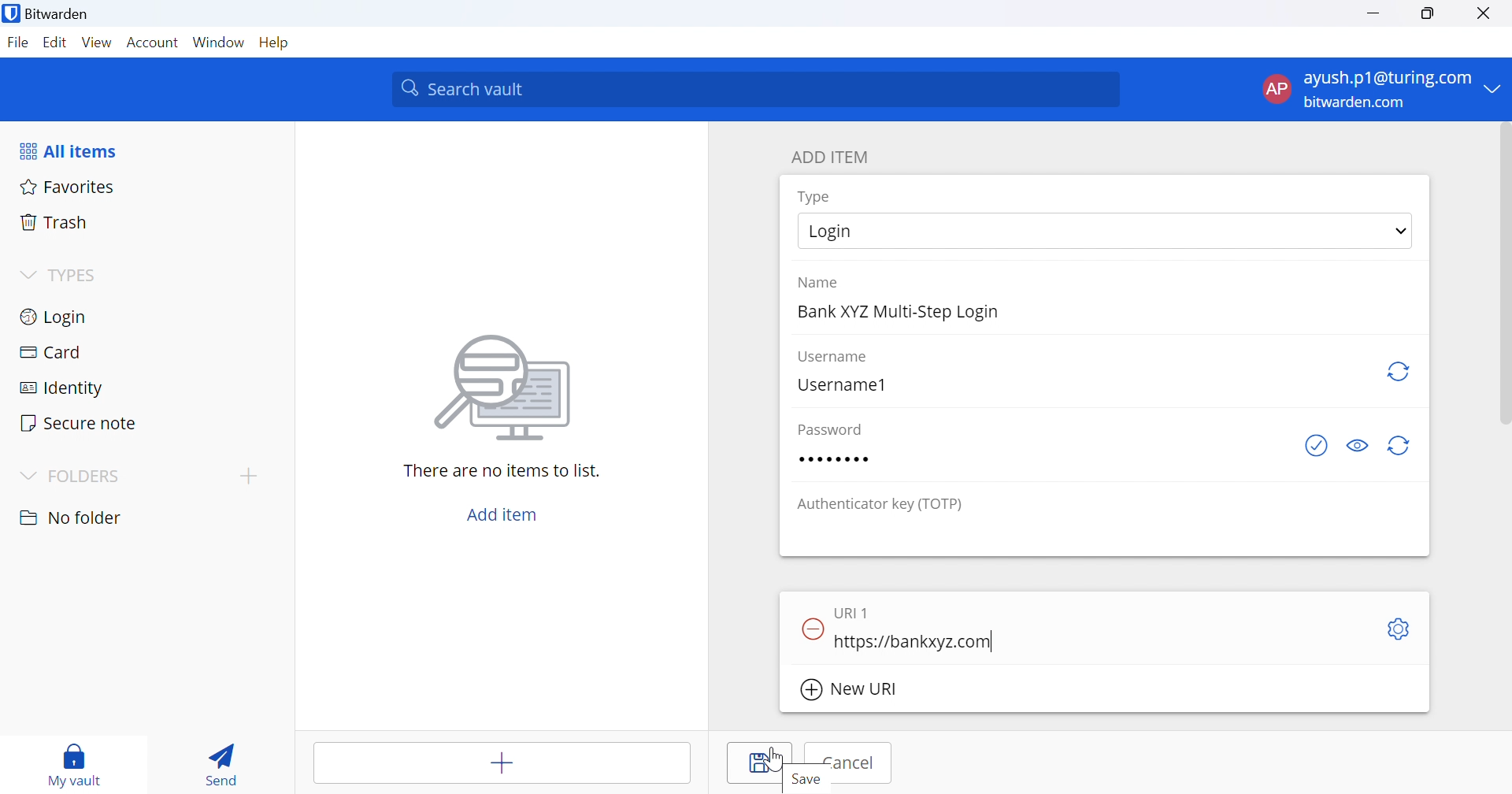 Image resolution: width=1512 pixels, height=794 pixels. Describe the element at coordinates (68, 186) in the screenshot. I see `Favorites` at that location.